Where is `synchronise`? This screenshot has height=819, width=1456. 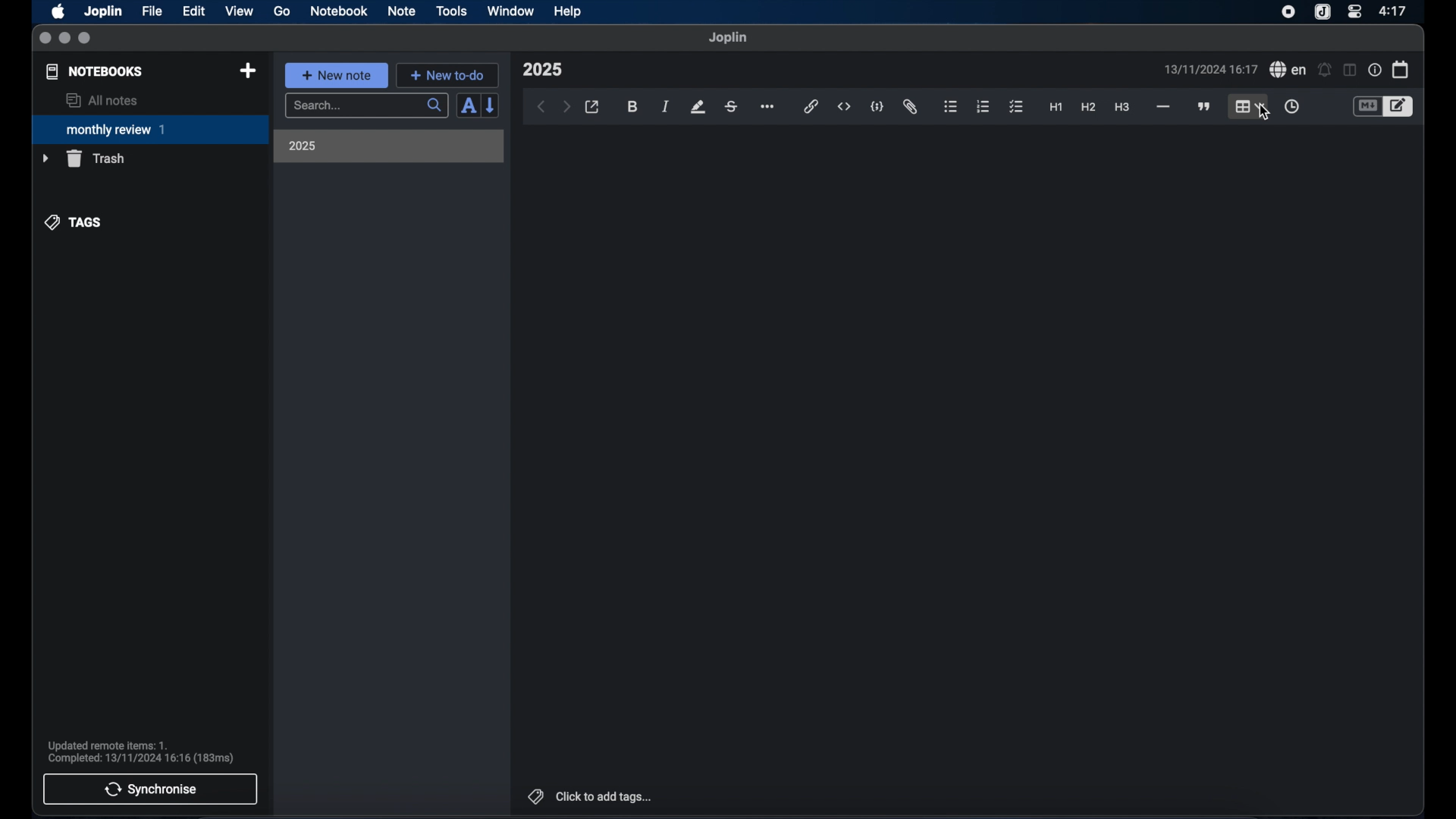 synchronise is located at coordinates (150, 789).